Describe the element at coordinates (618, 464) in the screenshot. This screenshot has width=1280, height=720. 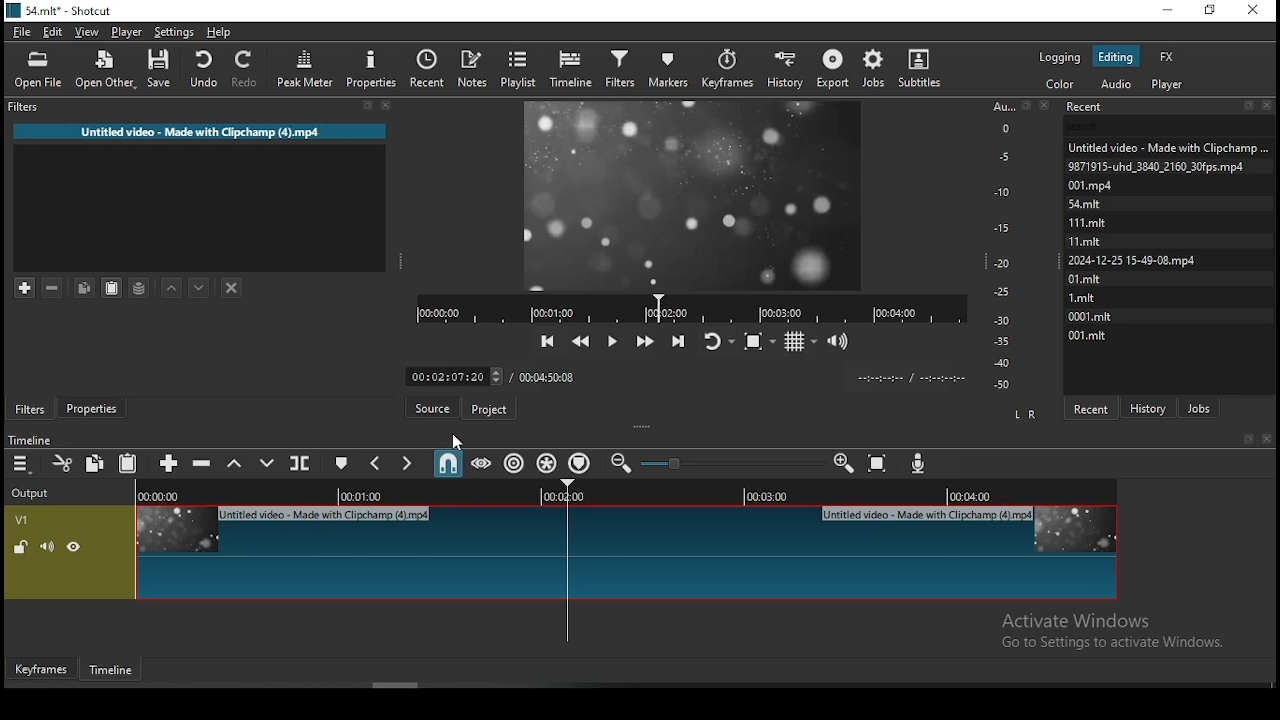
I see `zoom timeline in` at that location.